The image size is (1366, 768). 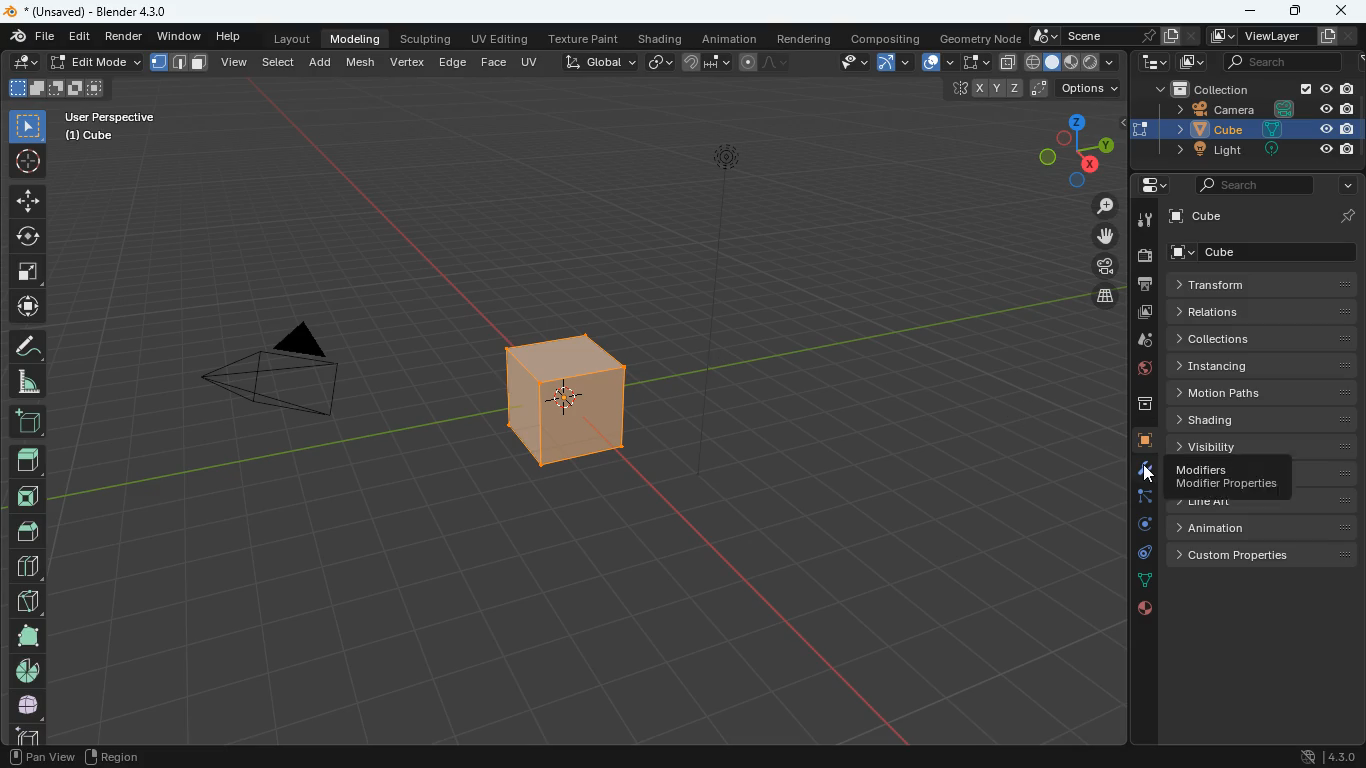 I want to click on file, so click(x=28, y=37).